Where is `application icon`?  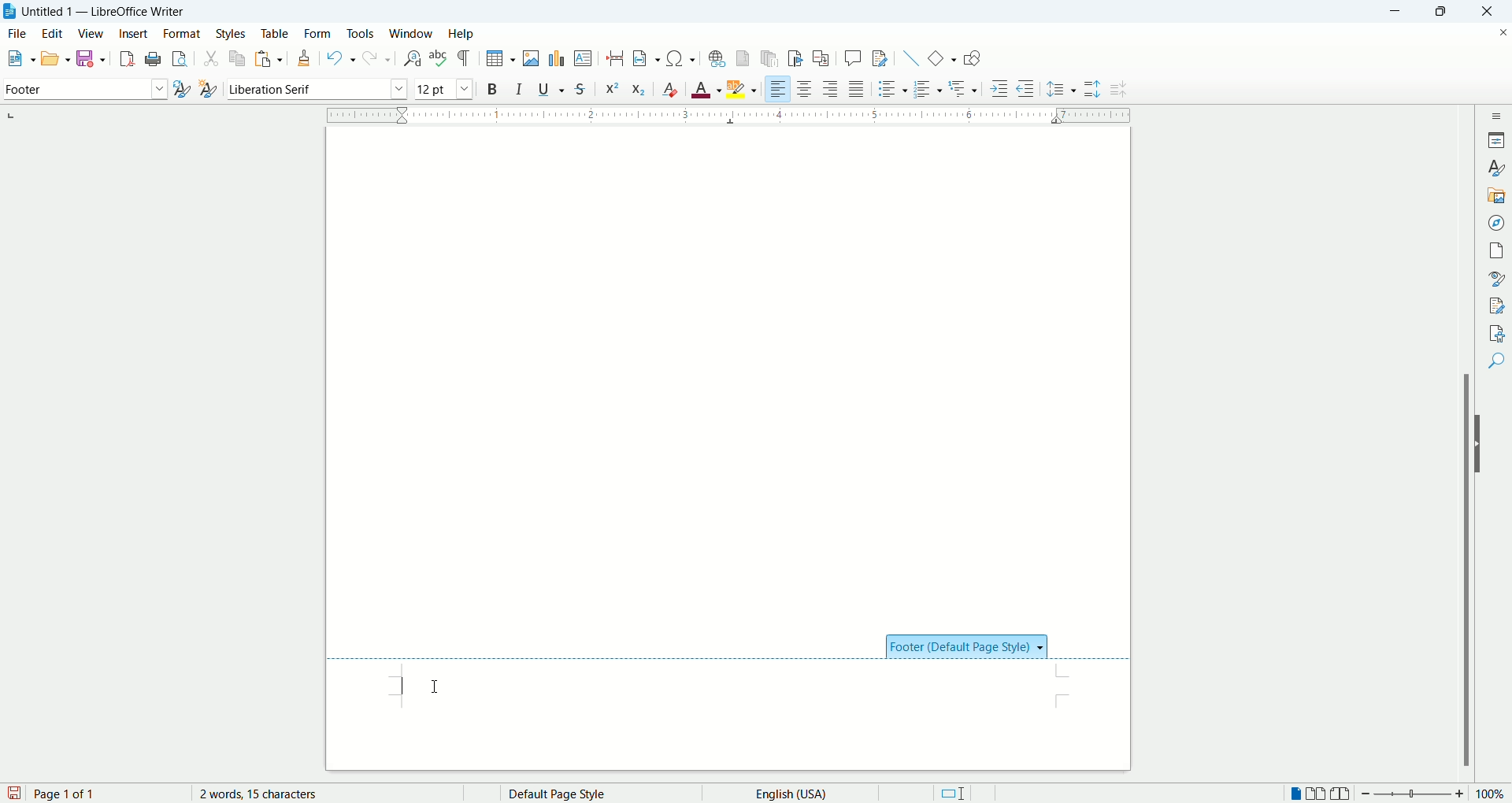 application icon is located at coordinates (10, 12).